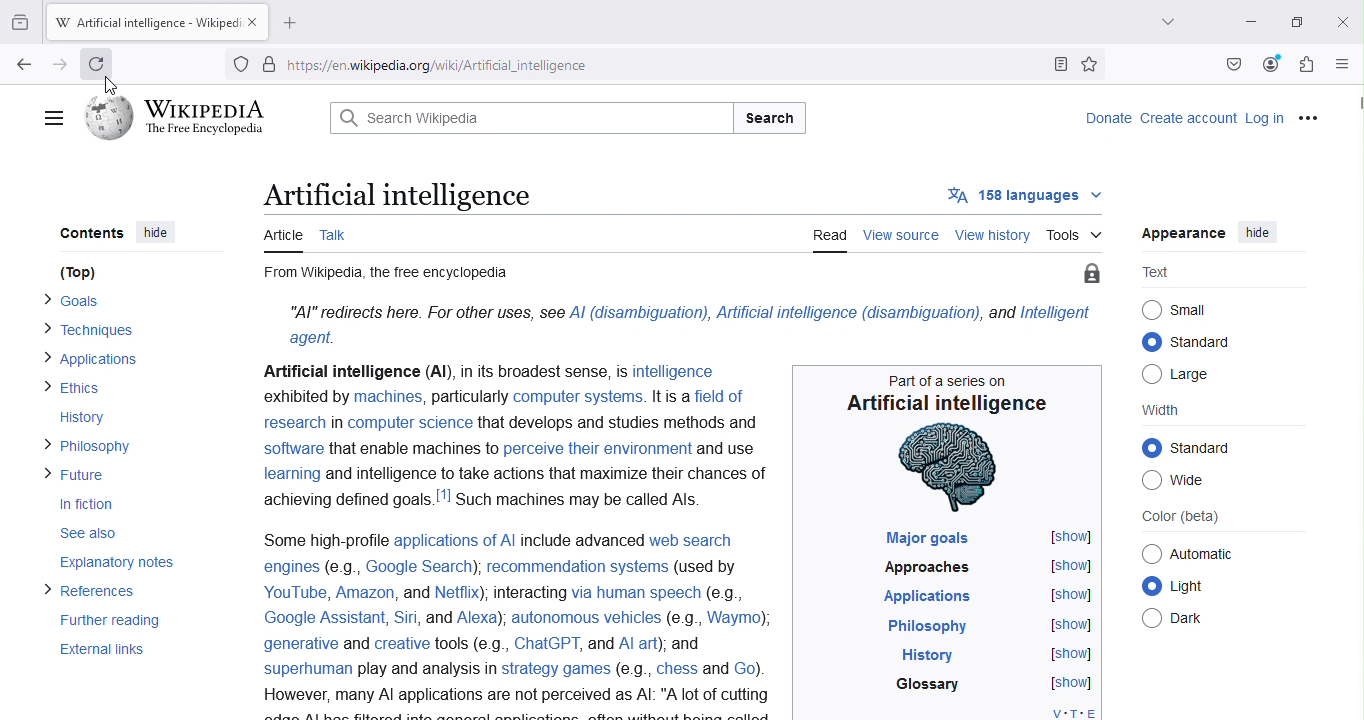 The image size is (1364, 720). Describe the element at coordinates (286, 449) in the screenshot. I see `Software` at that location.